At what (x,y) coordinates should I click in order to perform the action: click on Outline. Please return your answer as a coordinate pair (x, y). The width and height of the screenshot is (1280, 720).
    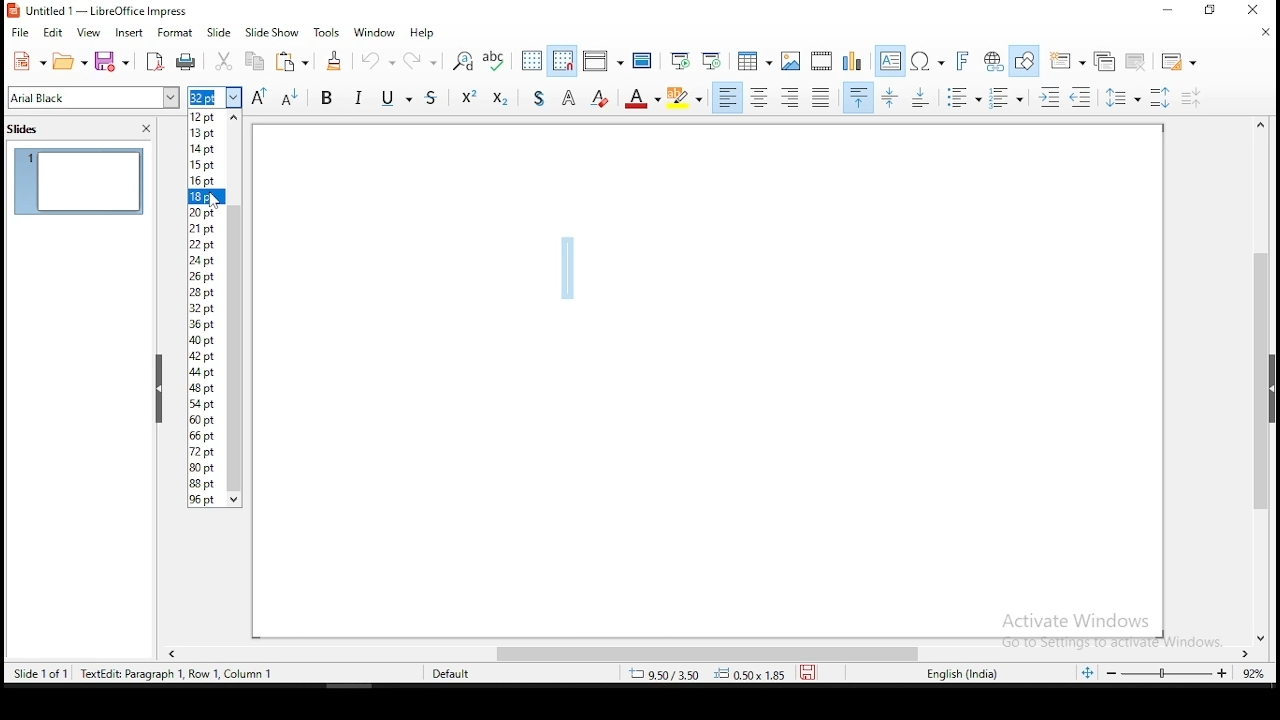
    Looking at the image, I should click on (570, 96).